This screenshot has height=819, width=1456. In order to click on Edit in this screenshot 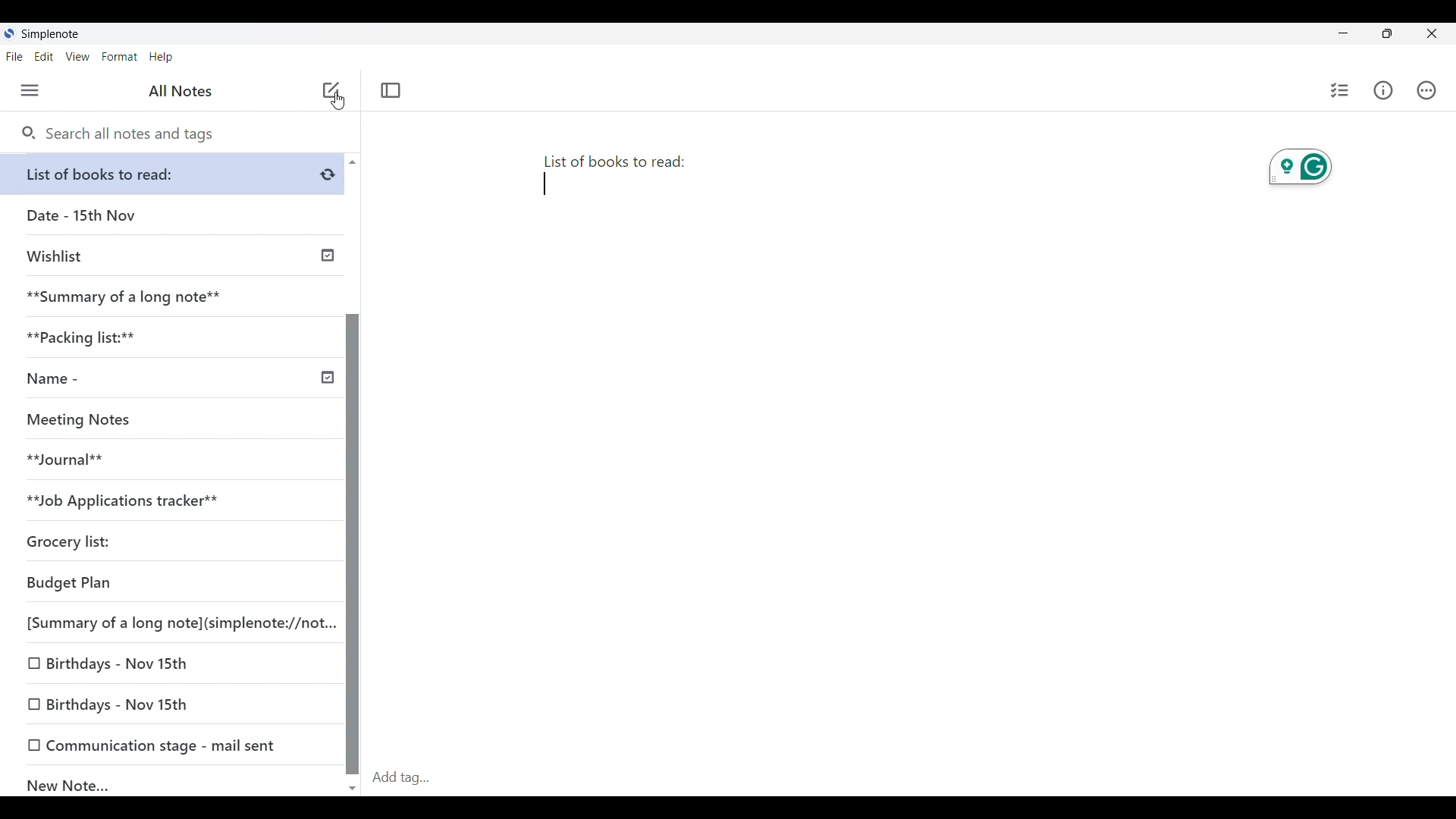, I will do `click(44, 57)`.